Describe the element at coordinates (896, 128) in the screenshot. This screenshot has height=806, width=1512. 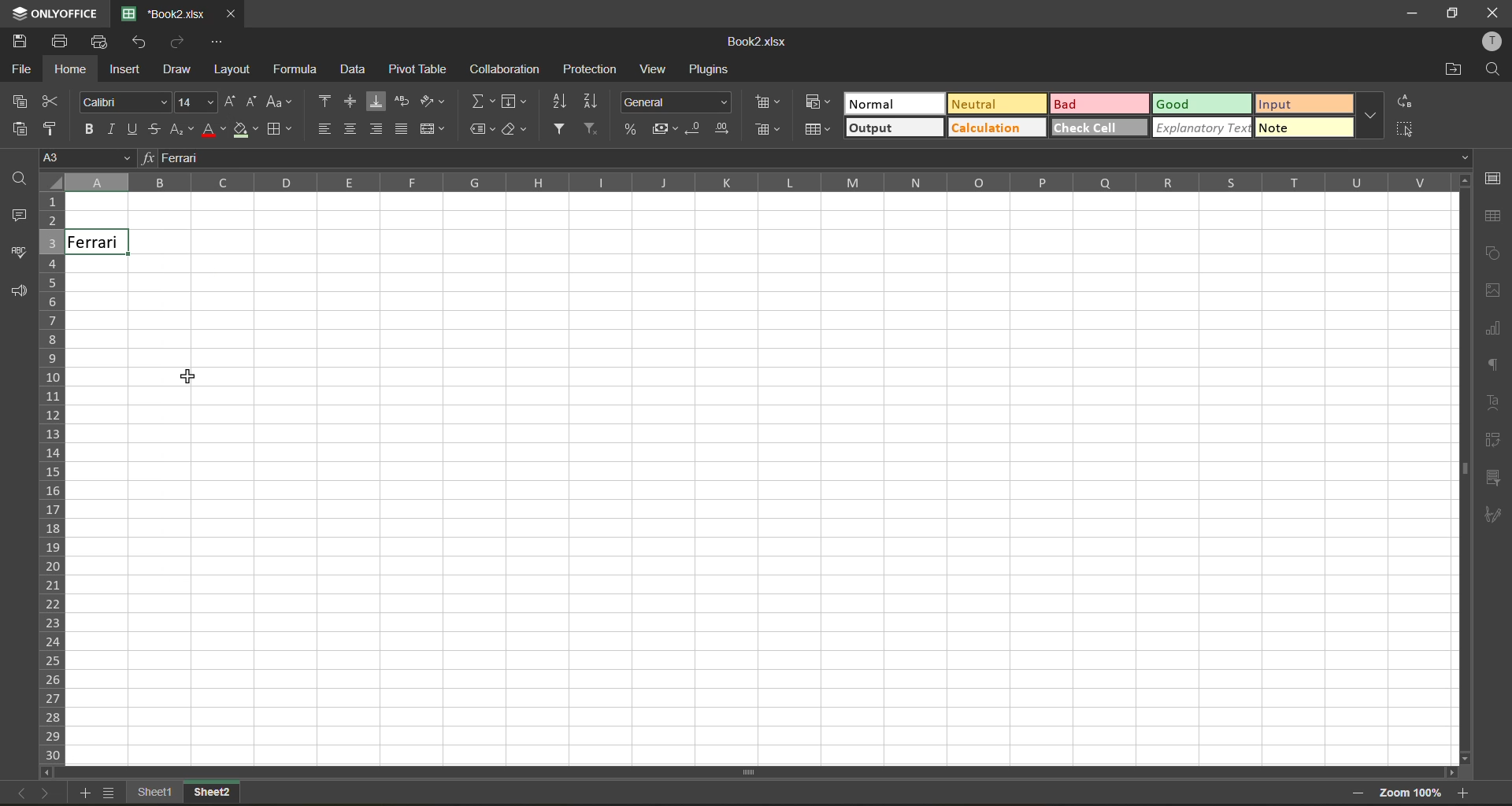
I see `output` at that location.